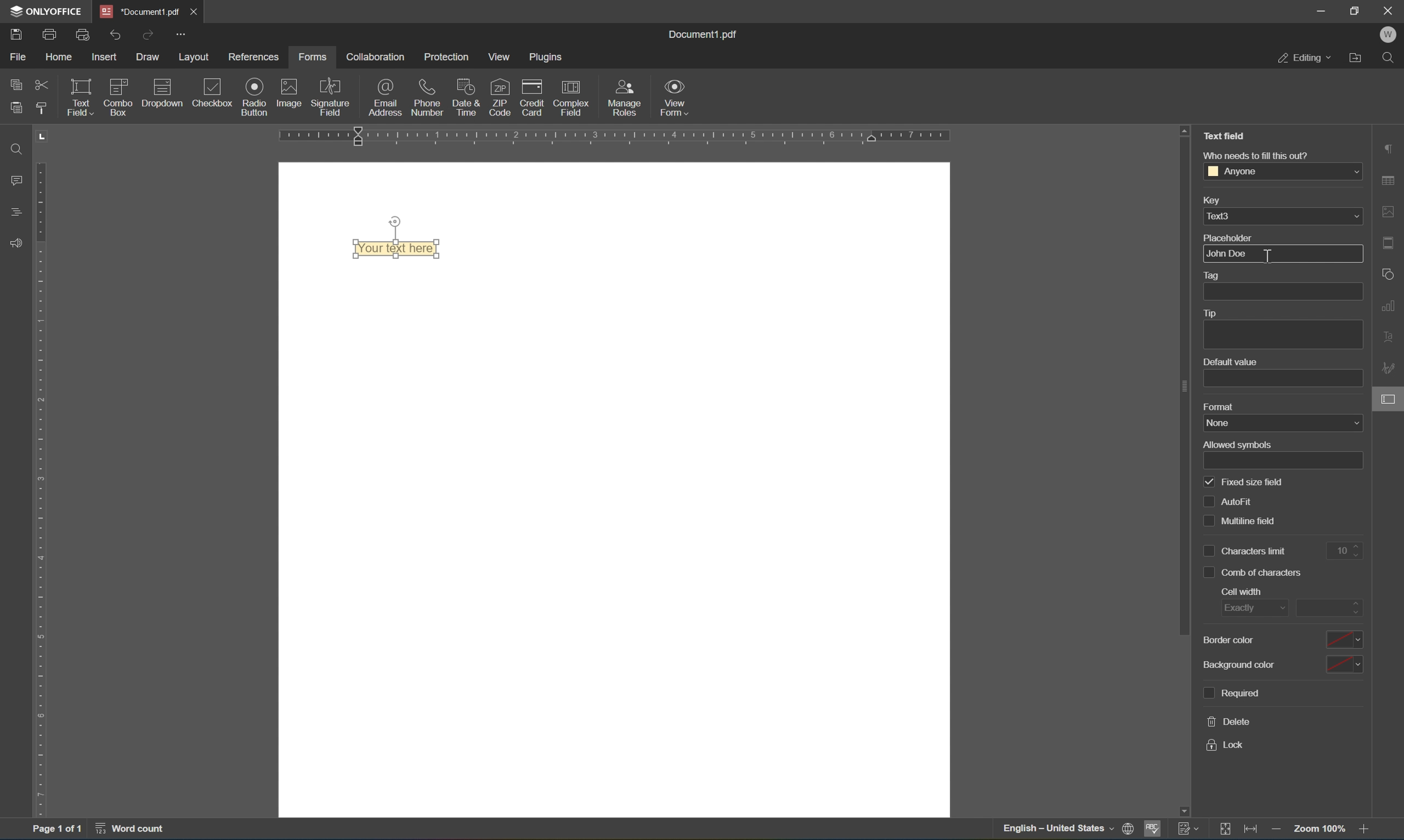  Describe the element at coordinates (1272, 258) in the screenshot. I see `cursor` at that location.